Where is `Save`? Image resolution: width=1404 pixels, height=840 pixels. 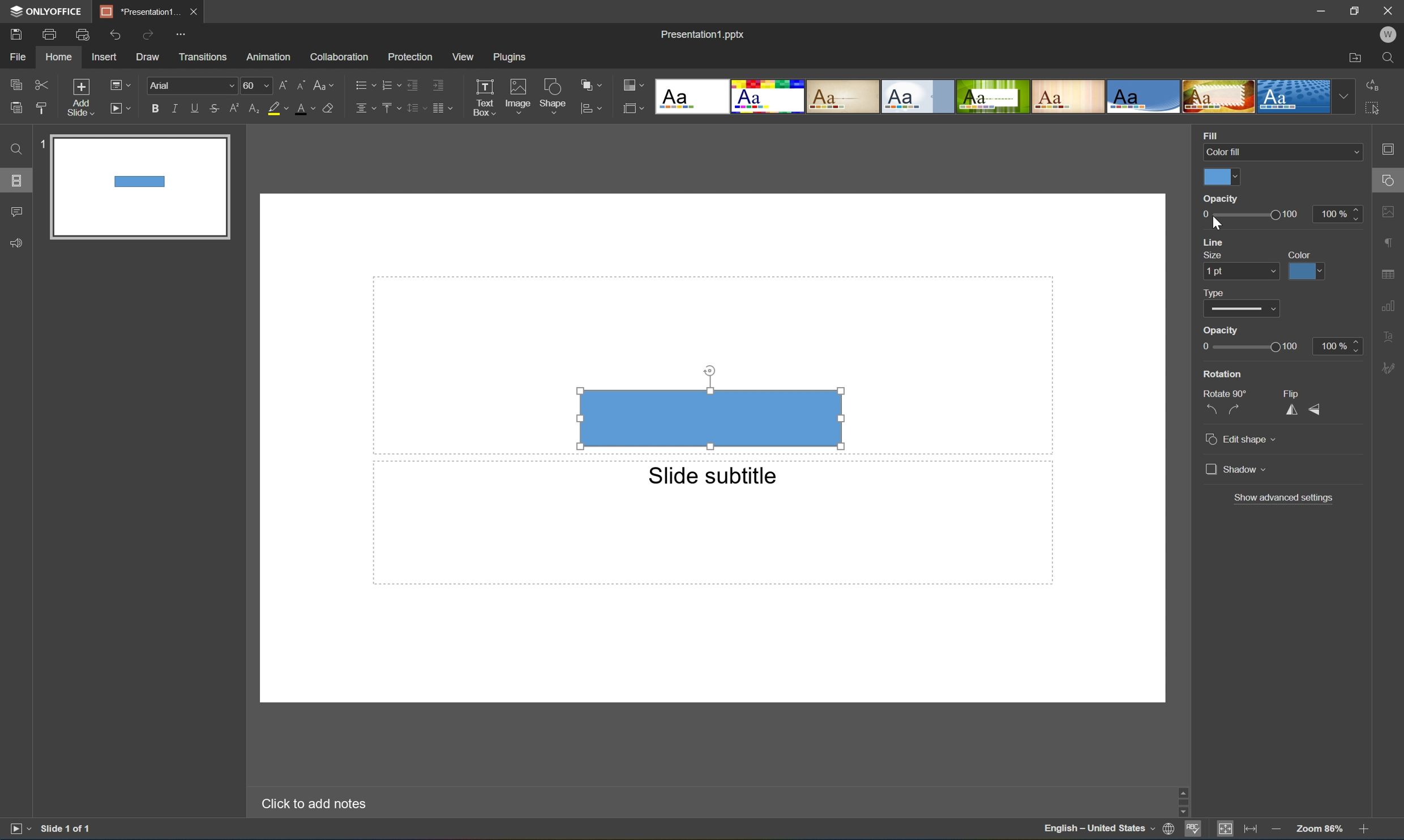
Save is located at coordinates (19, 35).